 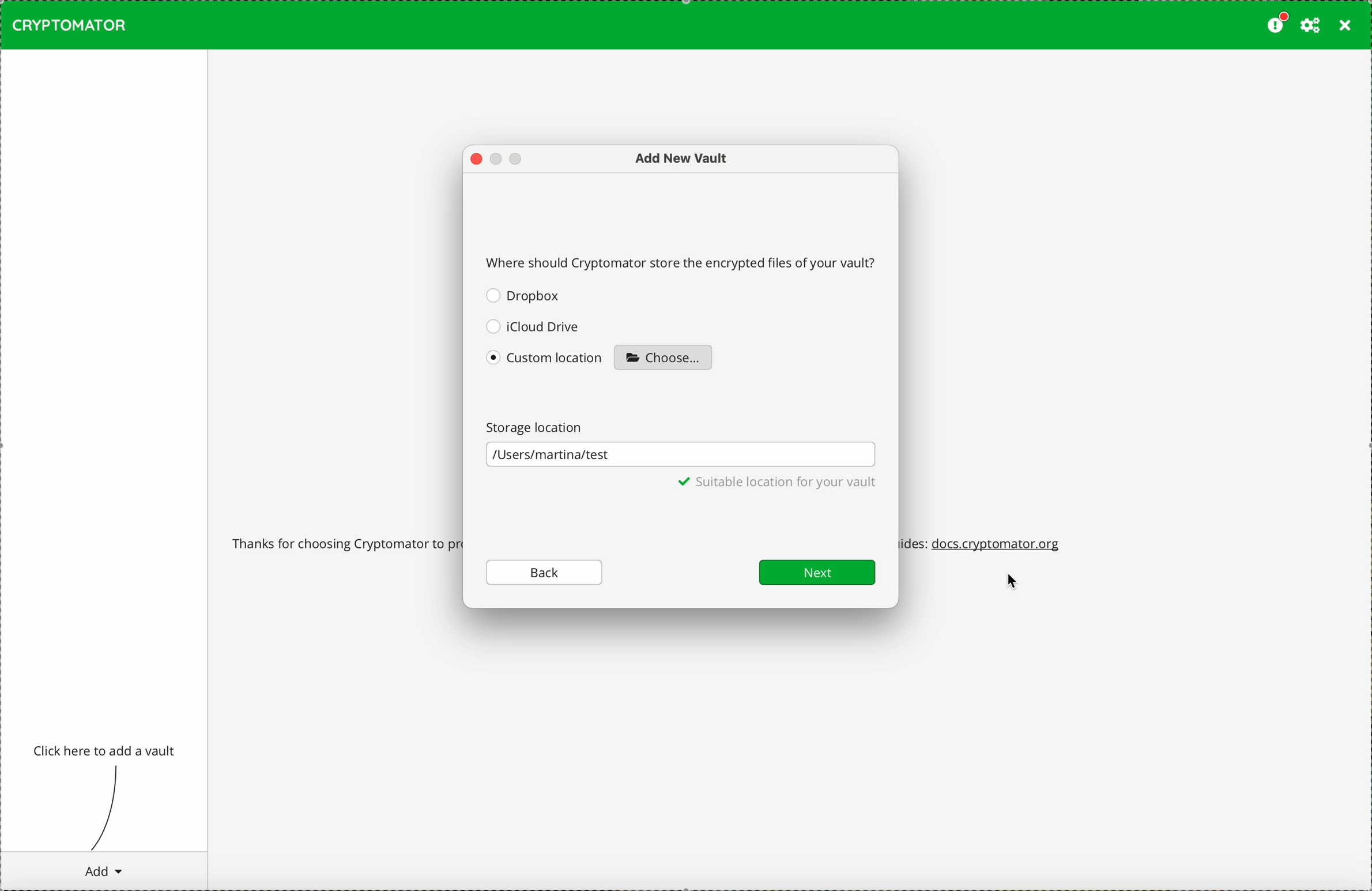 What do you see at coordinates (540, 426) in the screenshot?
I see `storage location` at bounding box center [540, 426].